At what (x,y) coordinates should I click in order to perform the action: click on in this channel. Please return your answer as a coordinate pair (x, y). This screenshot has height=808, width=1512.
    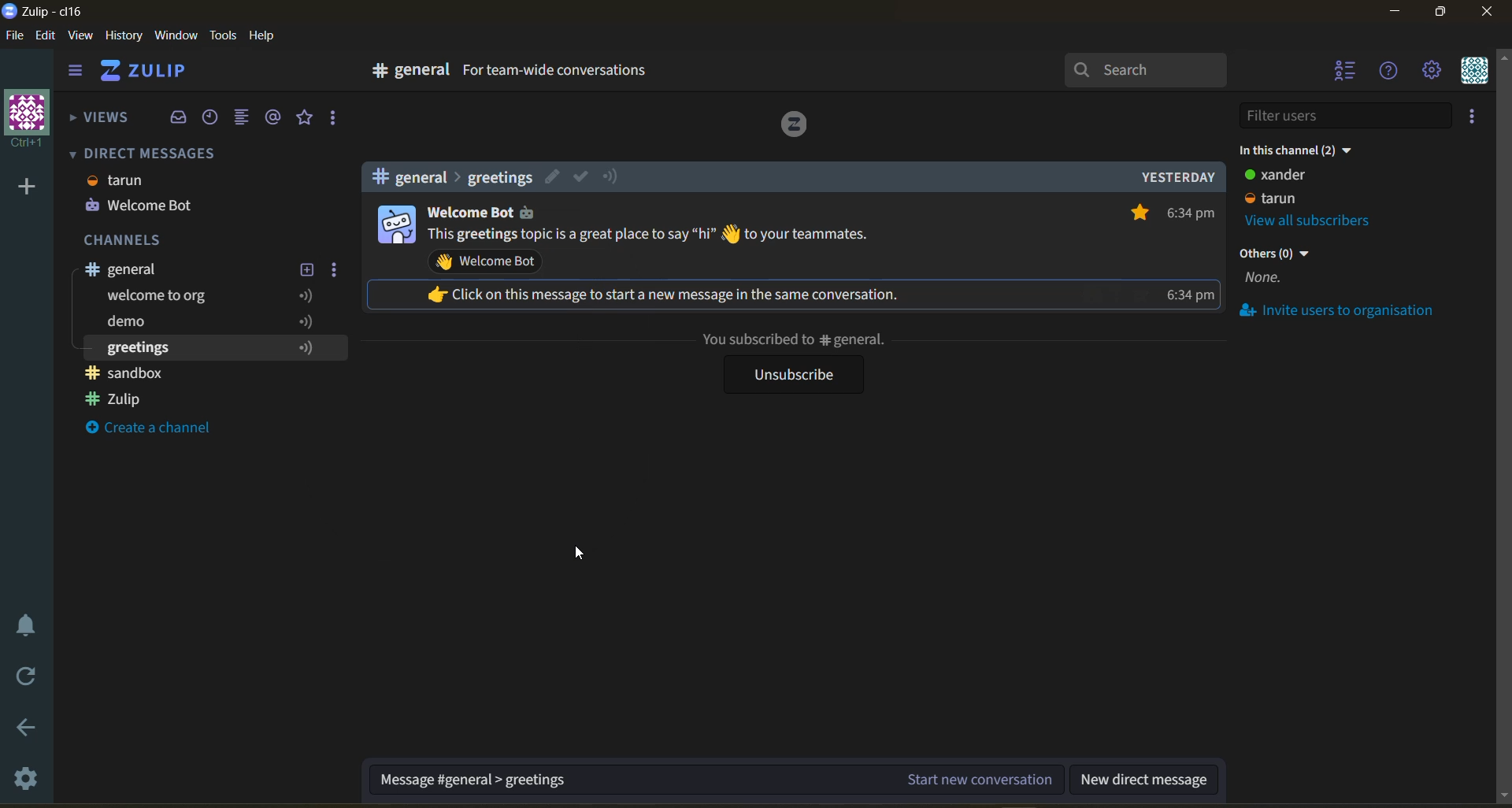
    Looking at the image, I should click on (1300, 153).